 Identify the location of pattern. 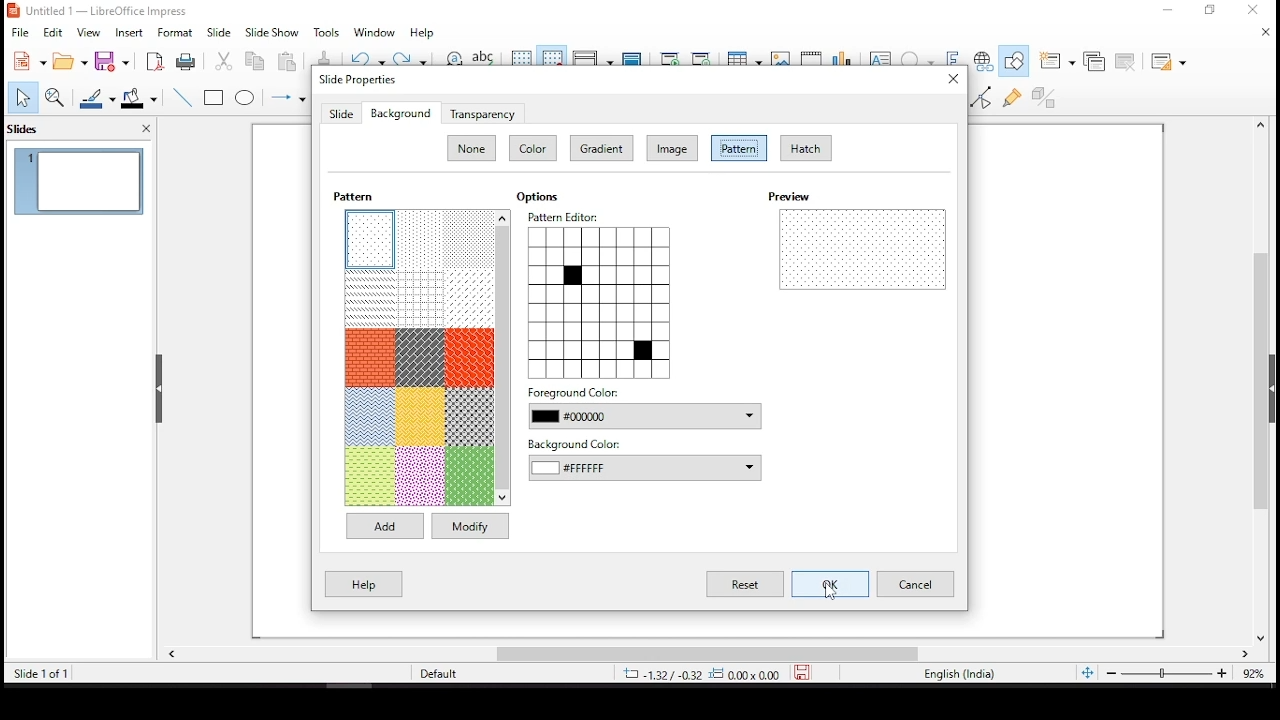
(422, 416).